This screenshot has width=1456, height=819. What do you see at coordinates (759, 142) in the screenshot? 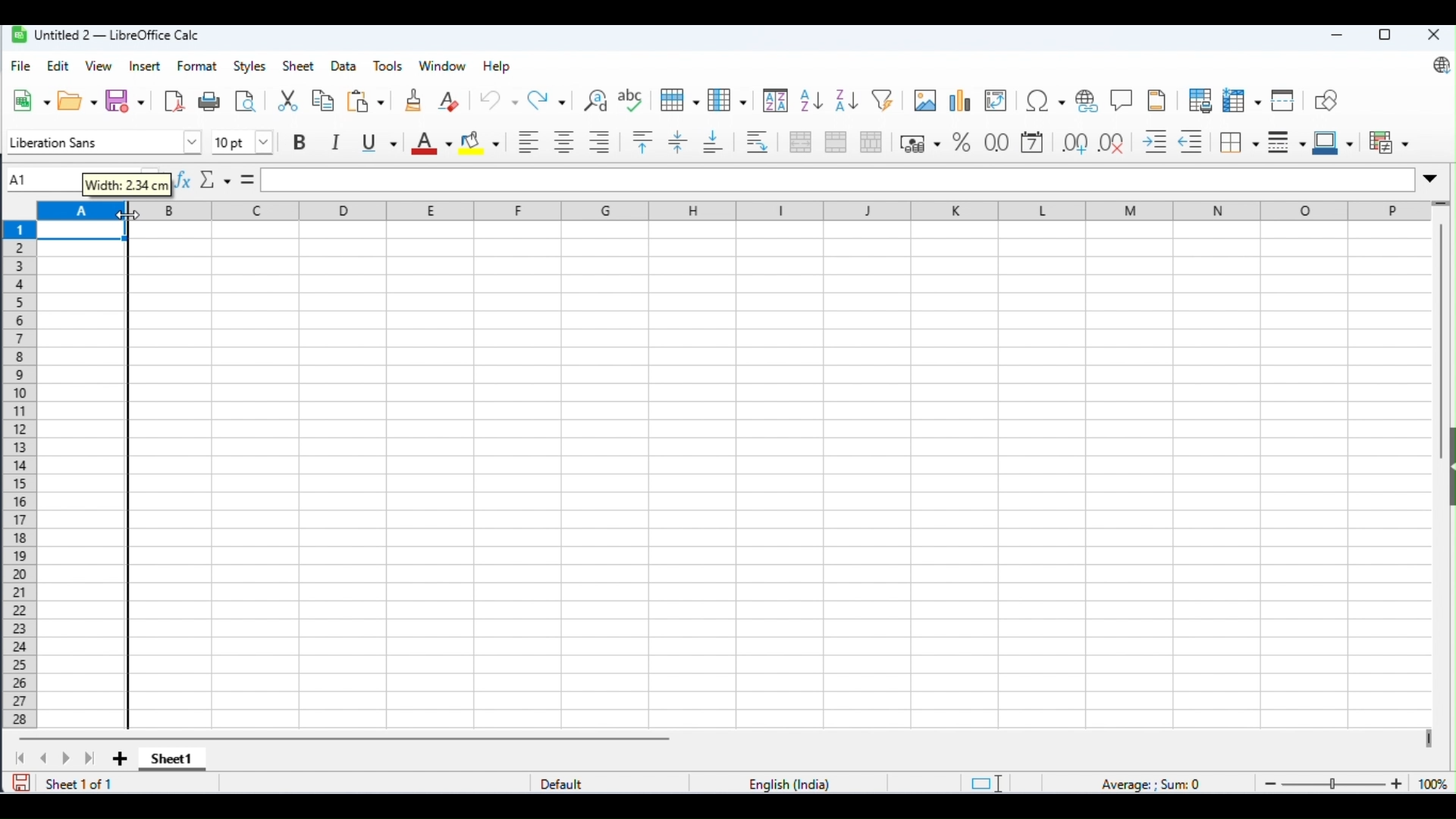
I see `wrap ` at bounding box center [759, 142].